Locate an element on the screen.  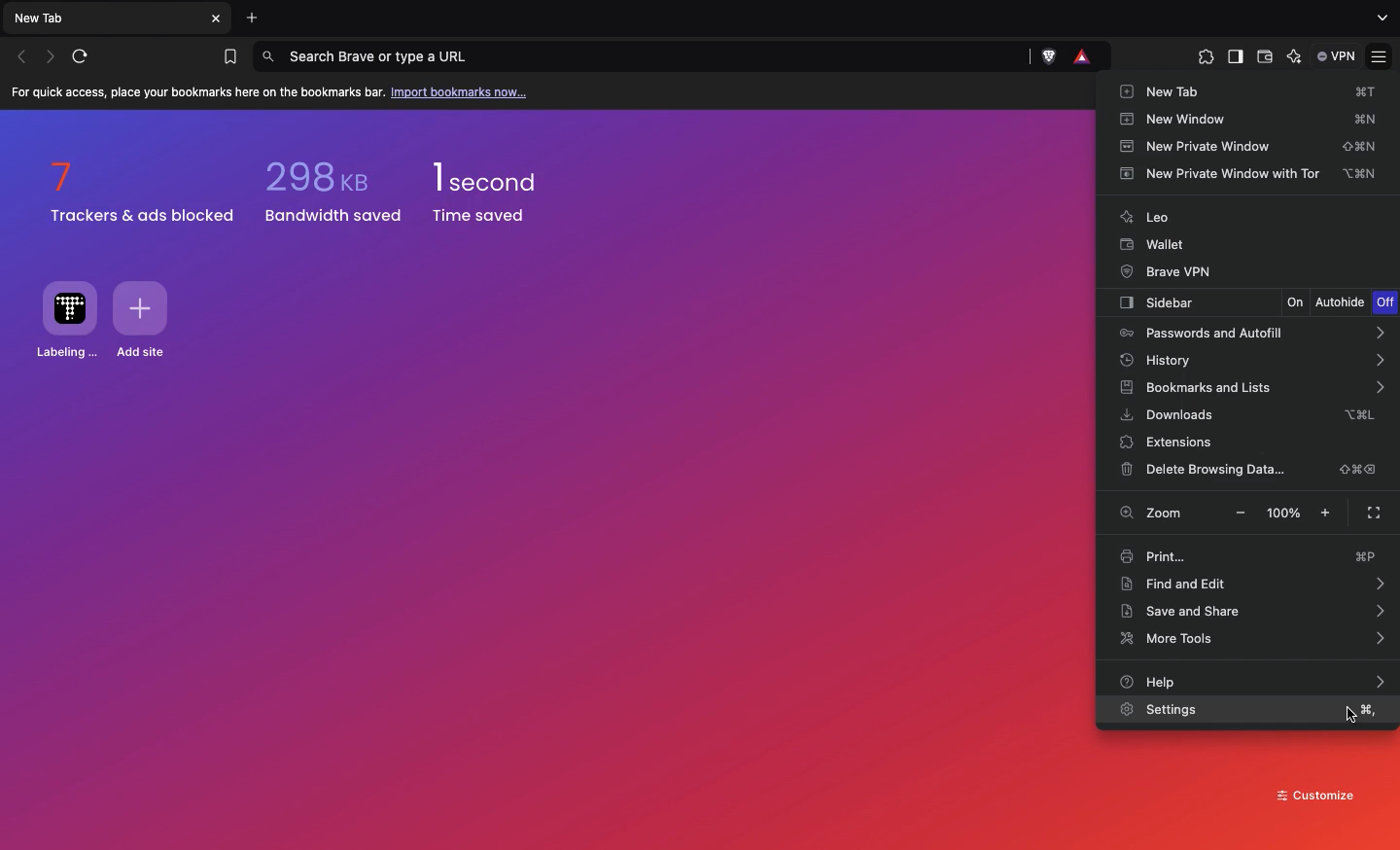
Bookmarks and lists is located at coordinates (1242, 389).